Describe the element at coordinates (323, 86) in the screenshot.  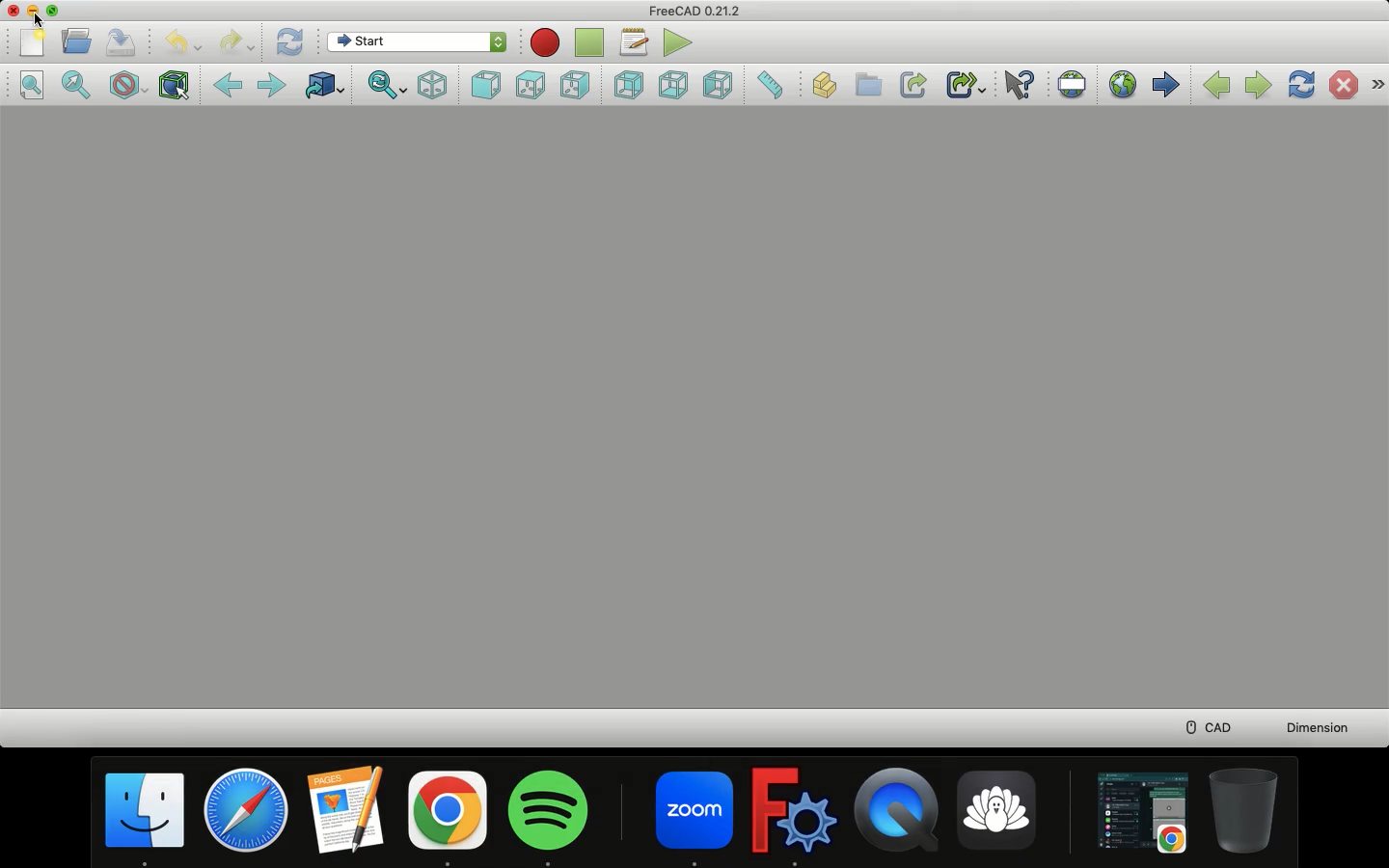
I see `Go to linked object` at that location.